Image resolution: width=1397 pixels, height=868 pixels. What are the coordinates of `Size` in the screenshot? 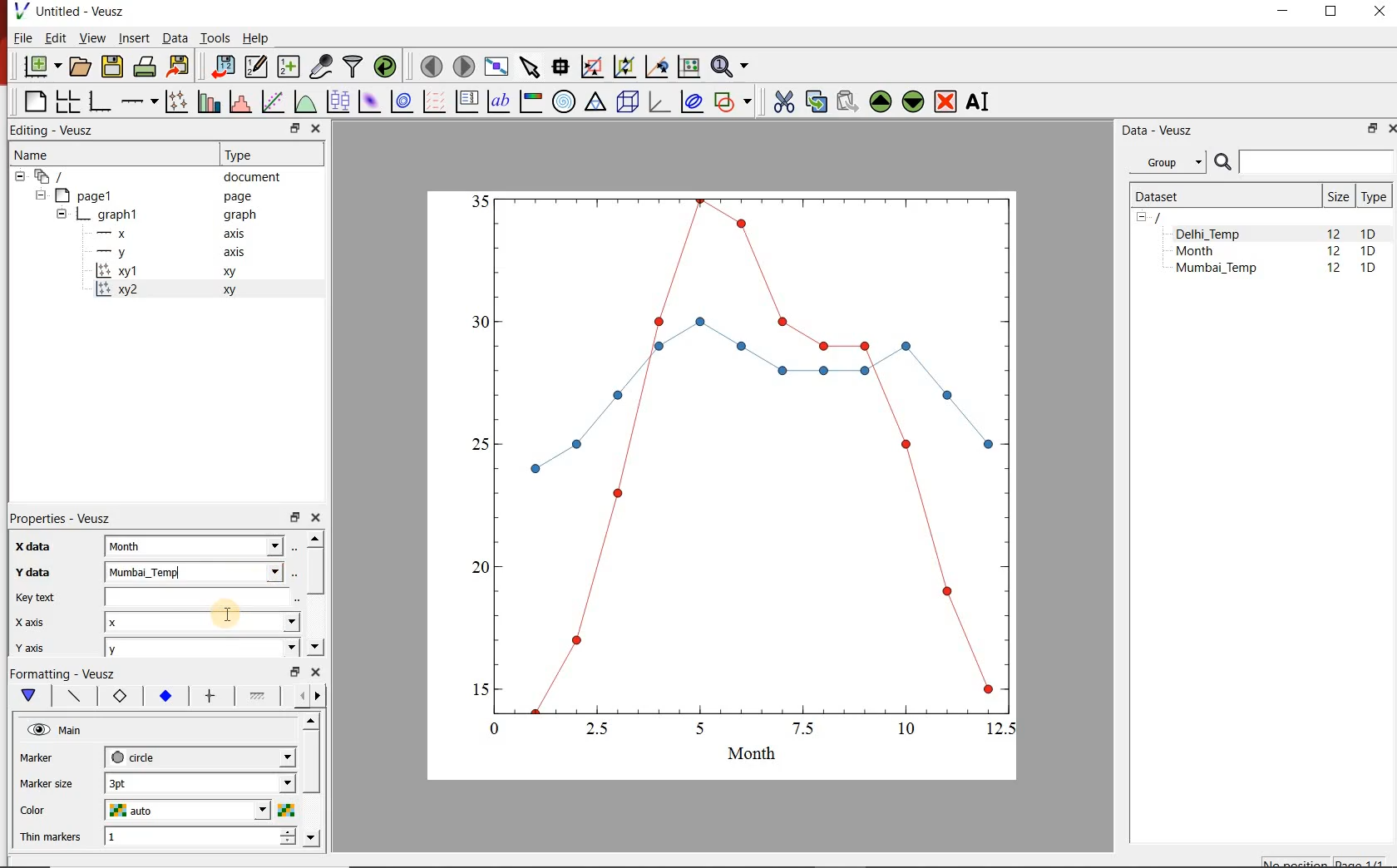 It's located at (1338, 196).